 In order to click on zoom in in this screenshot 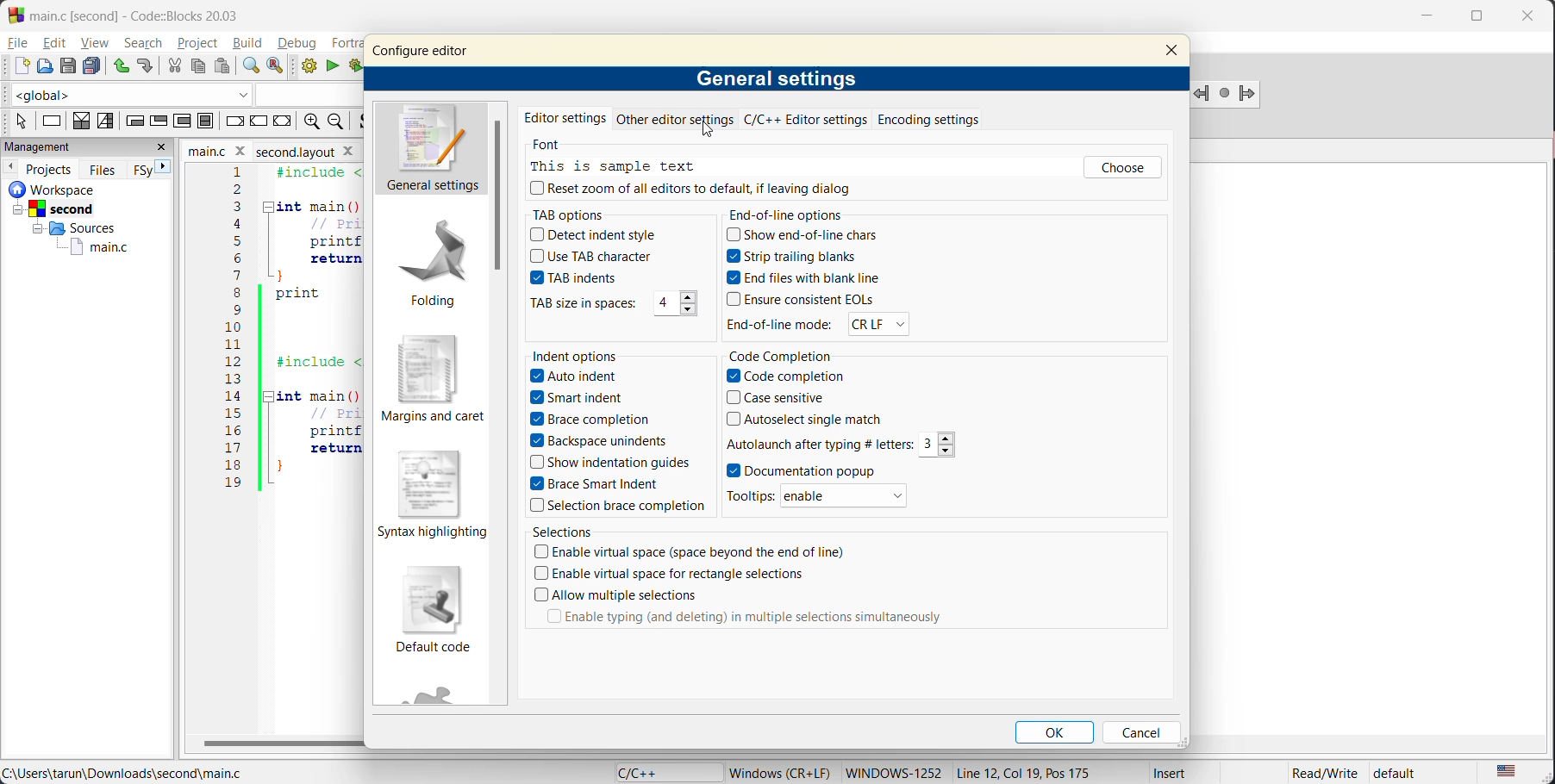, I will do `click(311, 122)`.